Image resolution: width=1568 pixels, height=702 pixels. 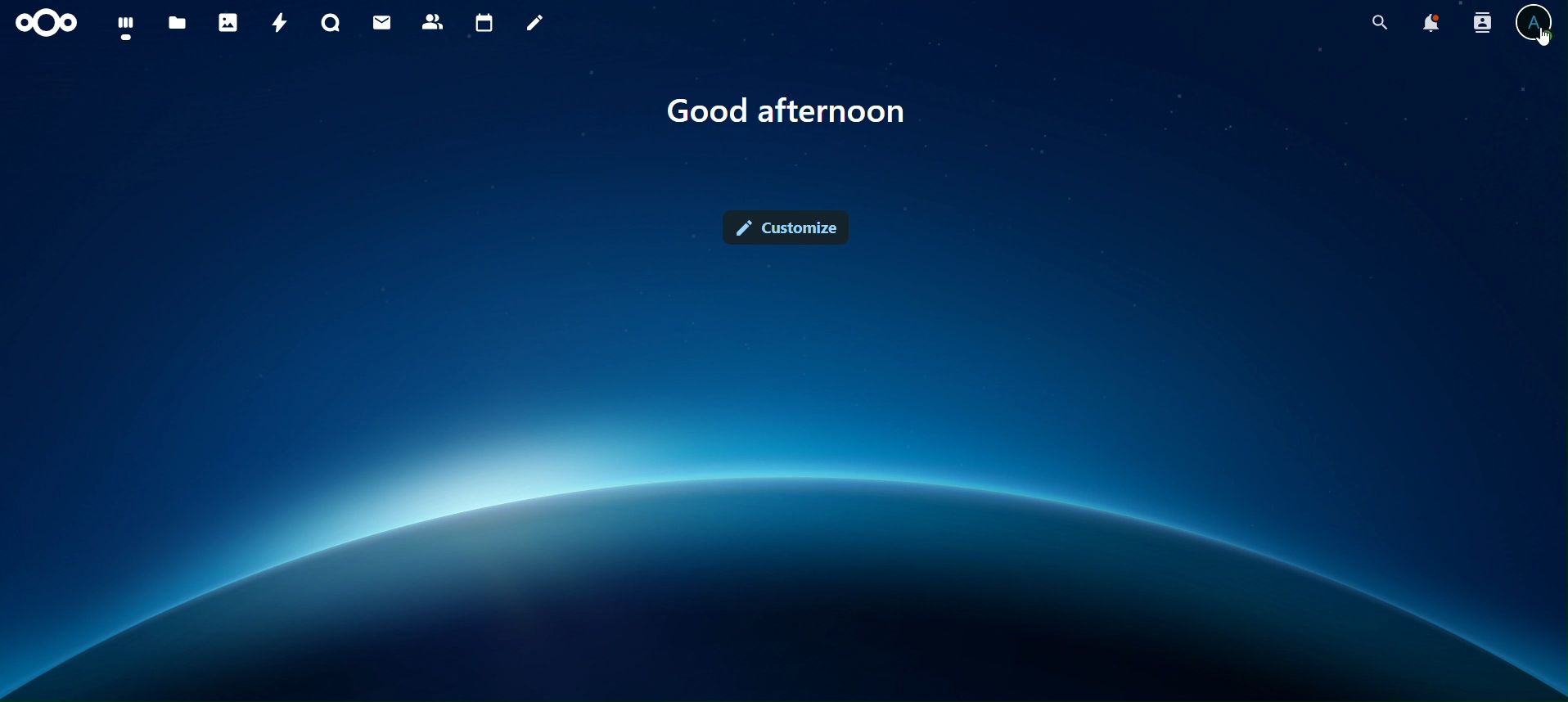 I want to click on notifications, so click(x=1428, y=23).